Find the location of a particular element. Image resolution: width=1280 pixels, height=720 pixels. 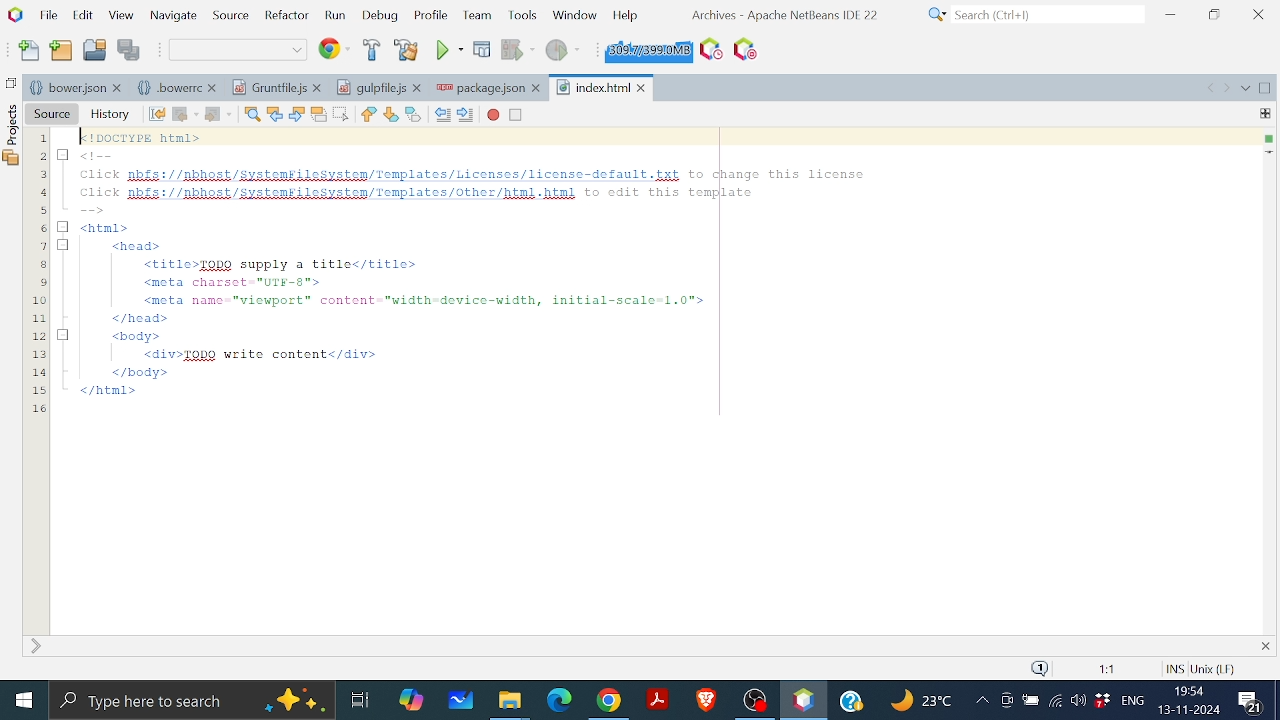

Weather is located at coordinates (924, 703).